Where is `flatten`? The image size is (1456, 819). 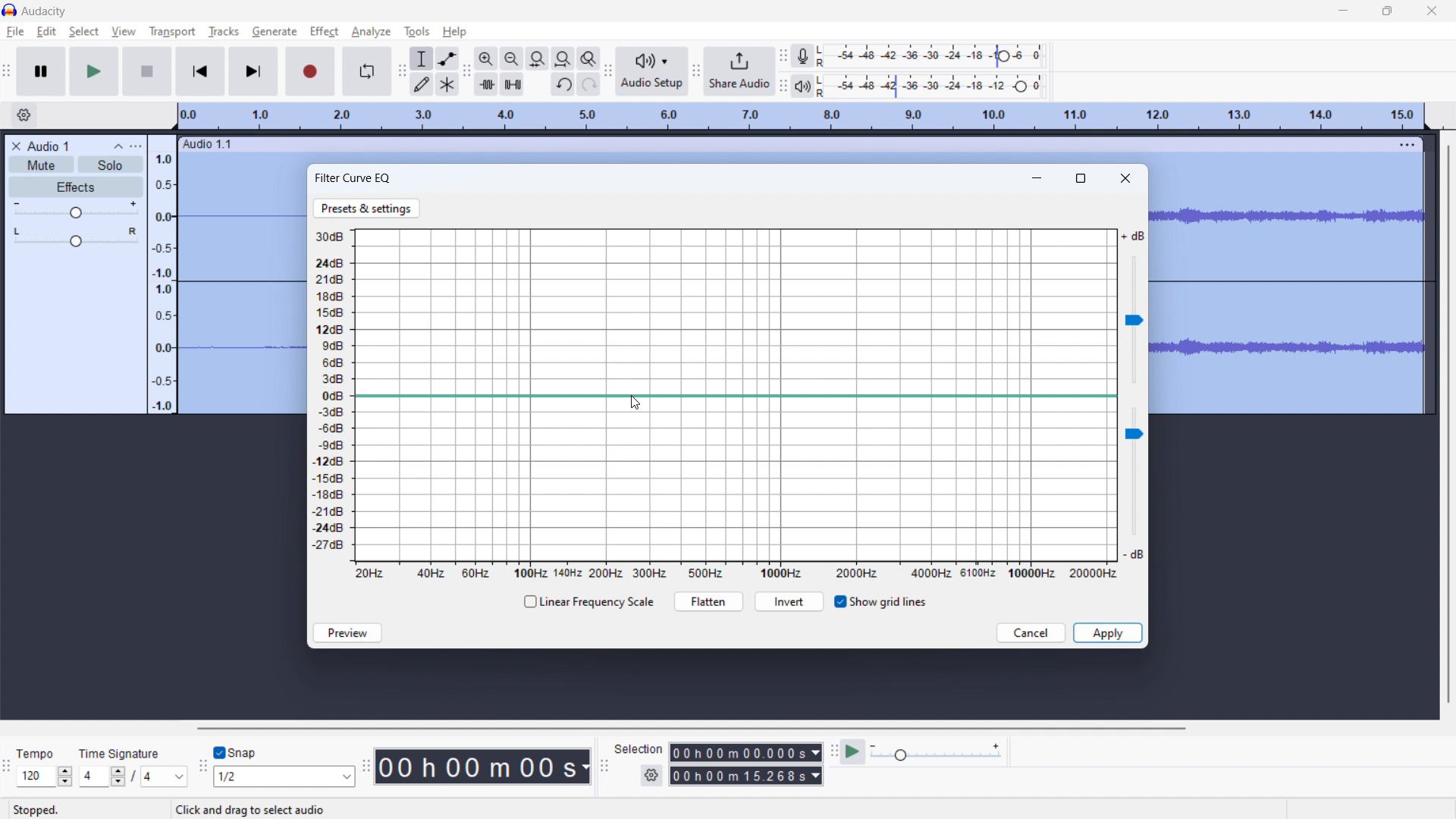 flatten is located at coordinates (708, 601).